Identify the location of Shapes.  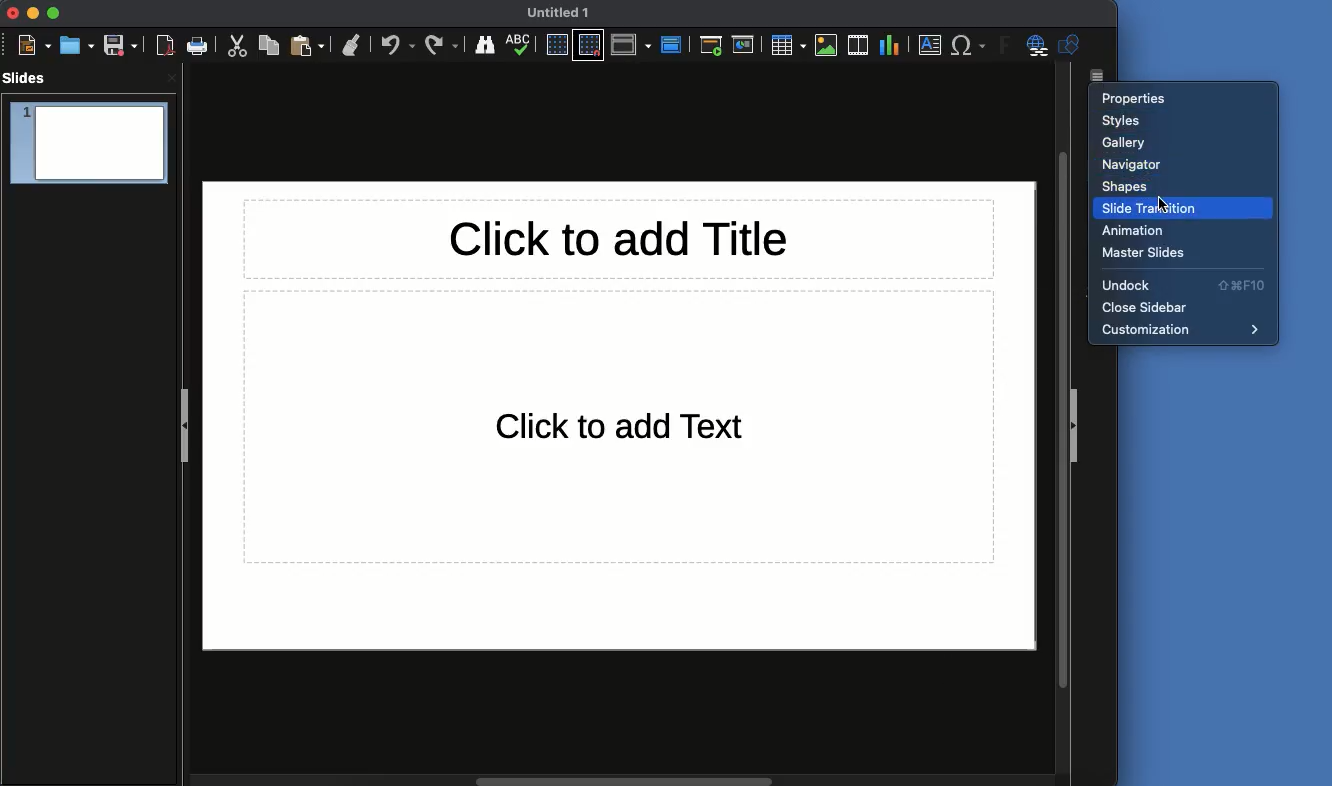
(1127, 187).